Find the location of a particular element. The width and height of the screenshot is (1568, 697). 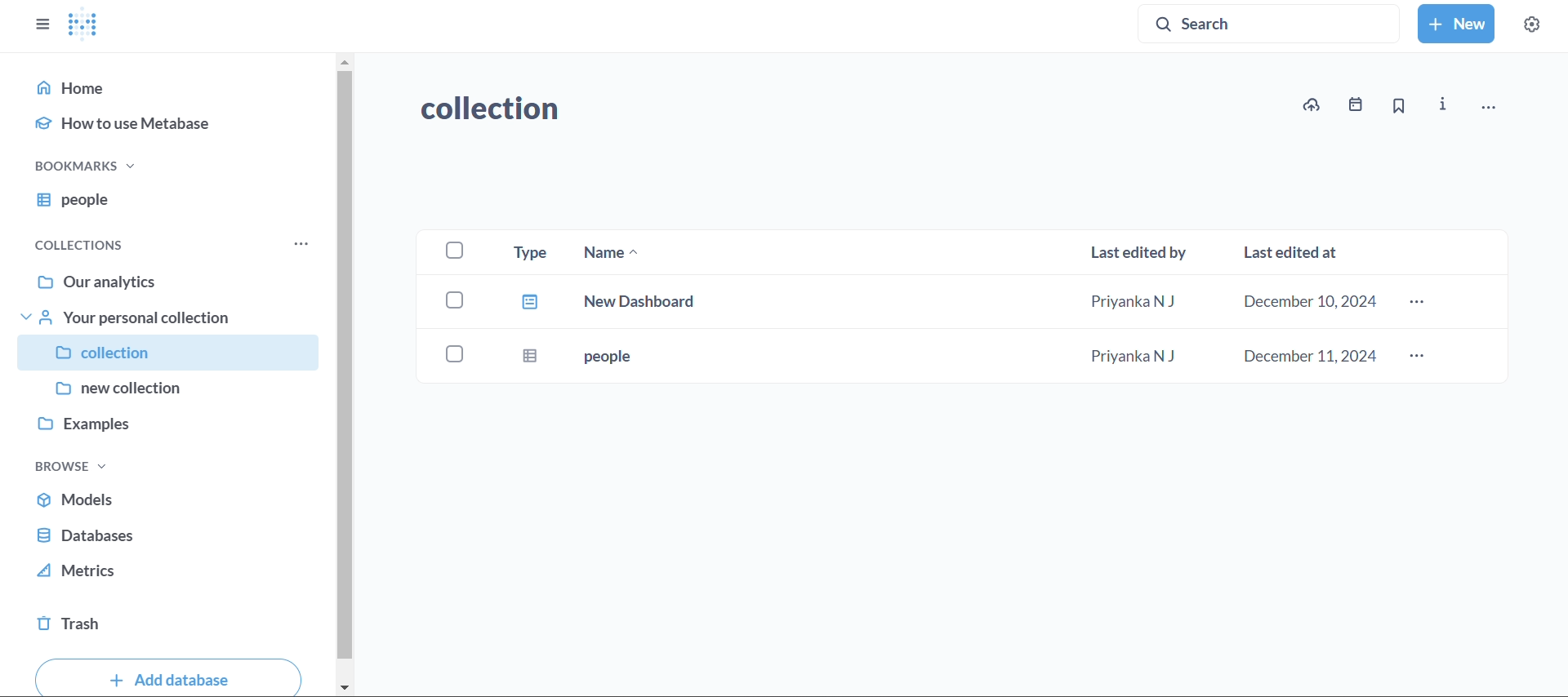

events is located at coordinates (1353, 105).